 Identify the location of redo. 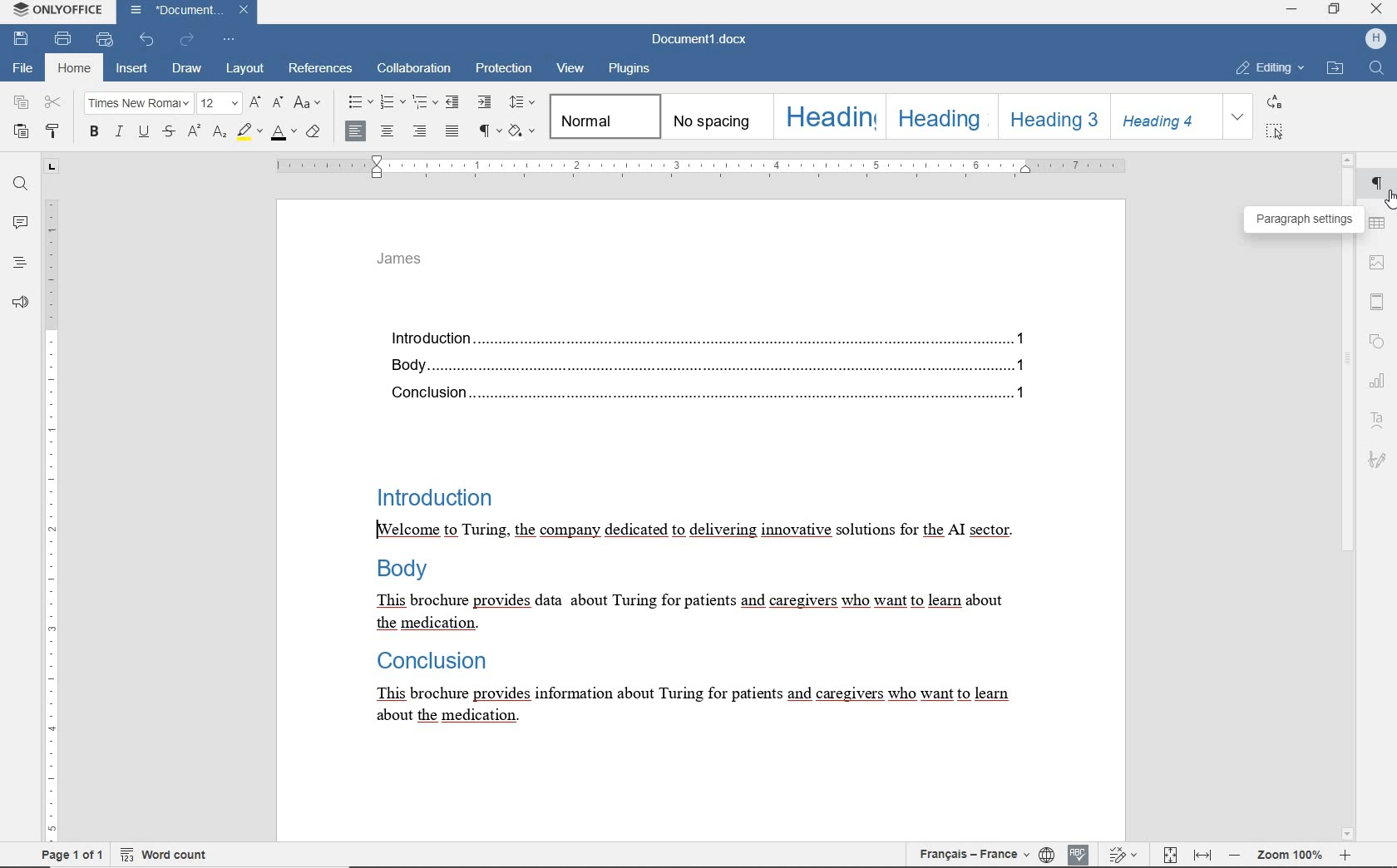
(187, 39).